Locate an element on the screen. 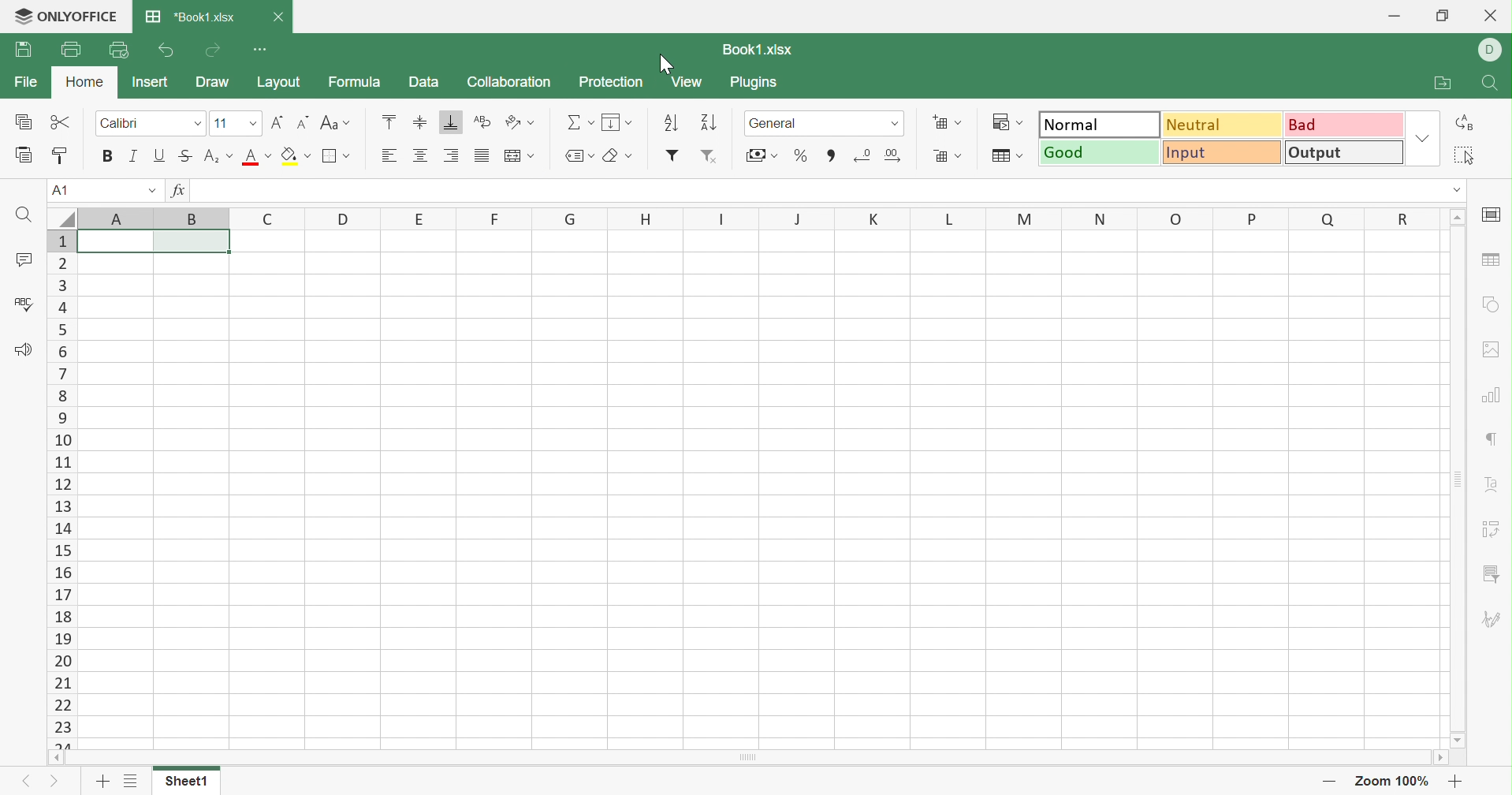  Increment font size is located at coordinates (279, 121).